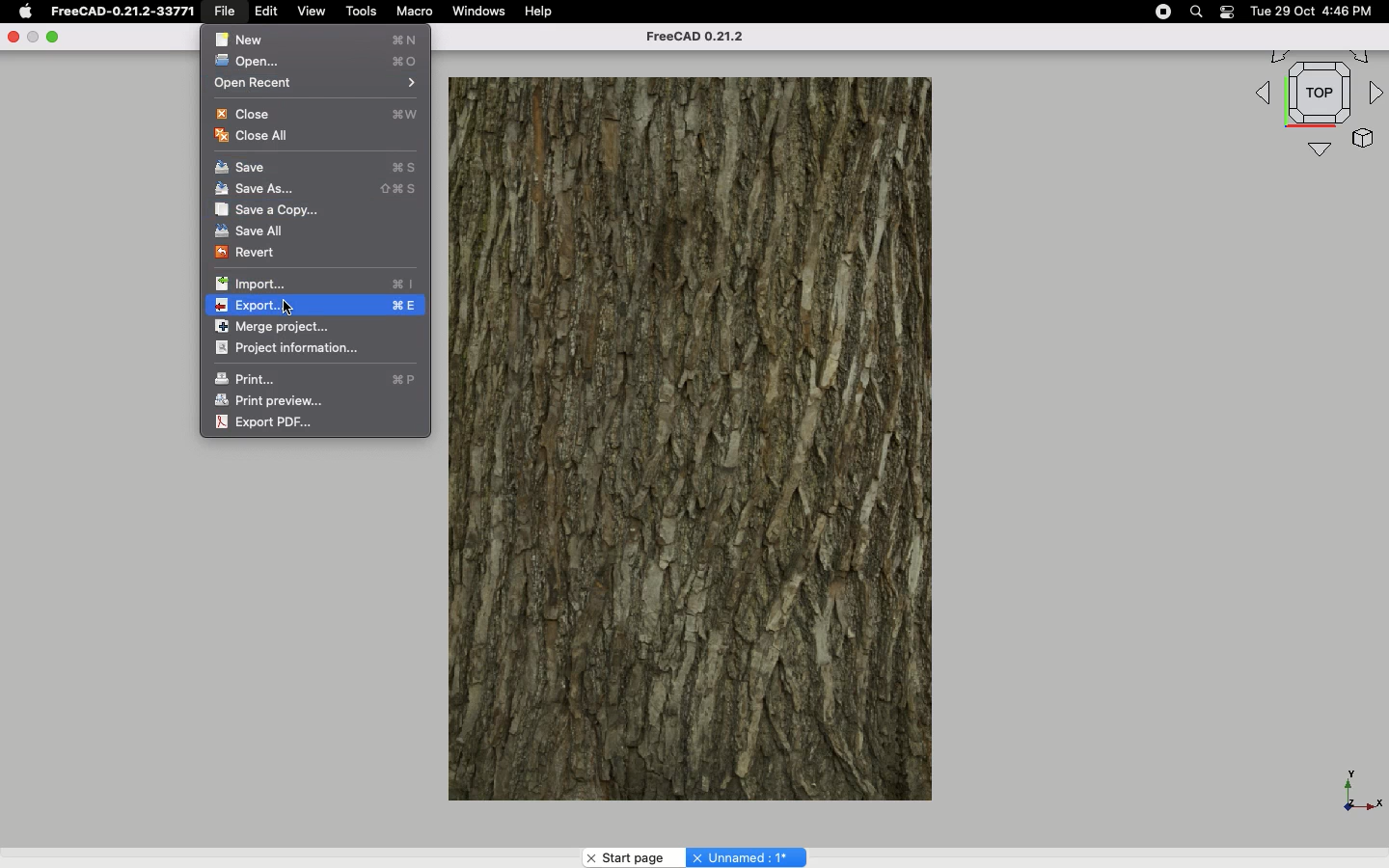 This screenshot has height=868, width=1389. What do you see at coordinates (288, 350) in the screenshot?
I see `Project information` at bounding box center [288, 350].